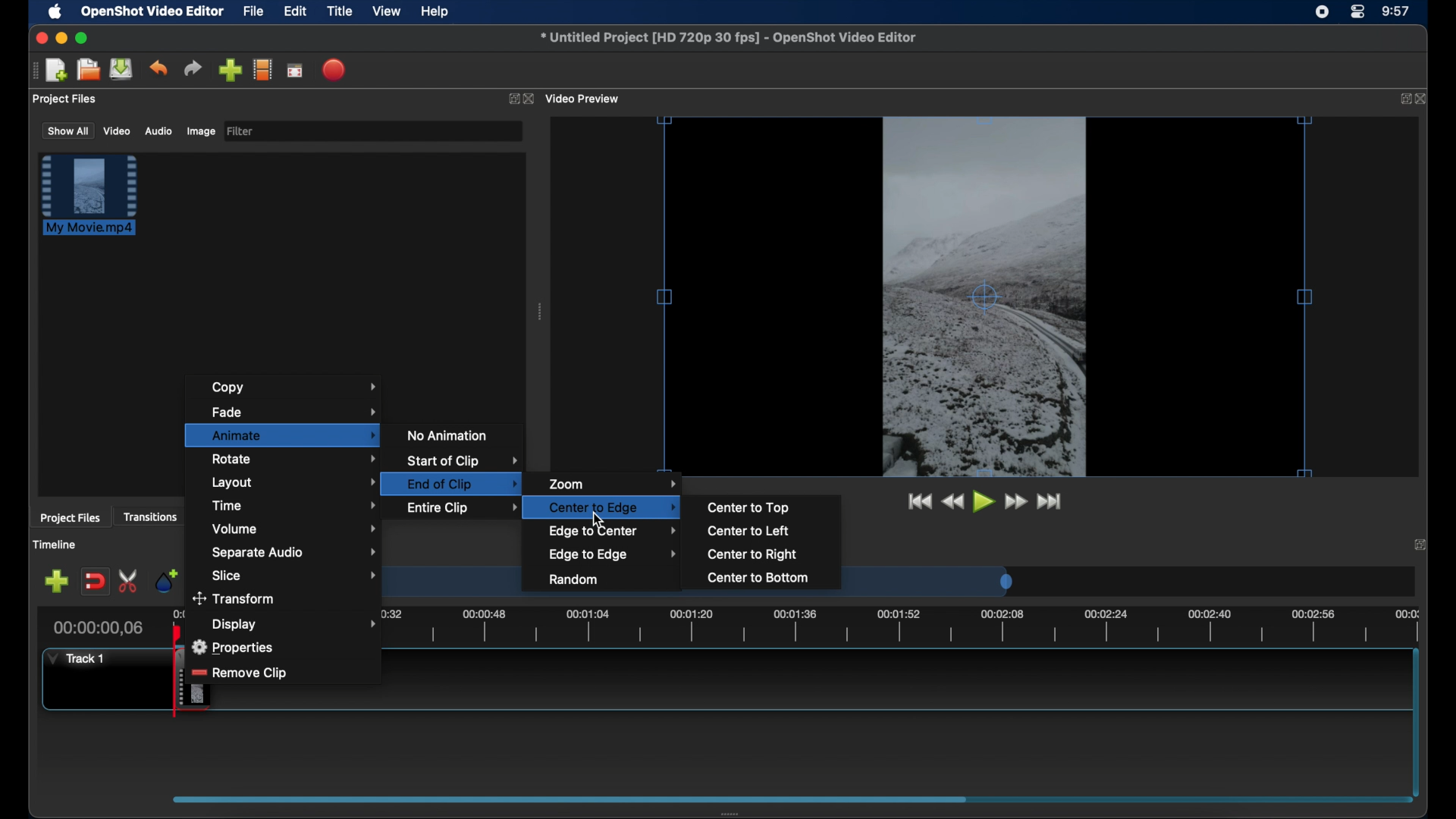  I want to click on open files, so click(89, 71).